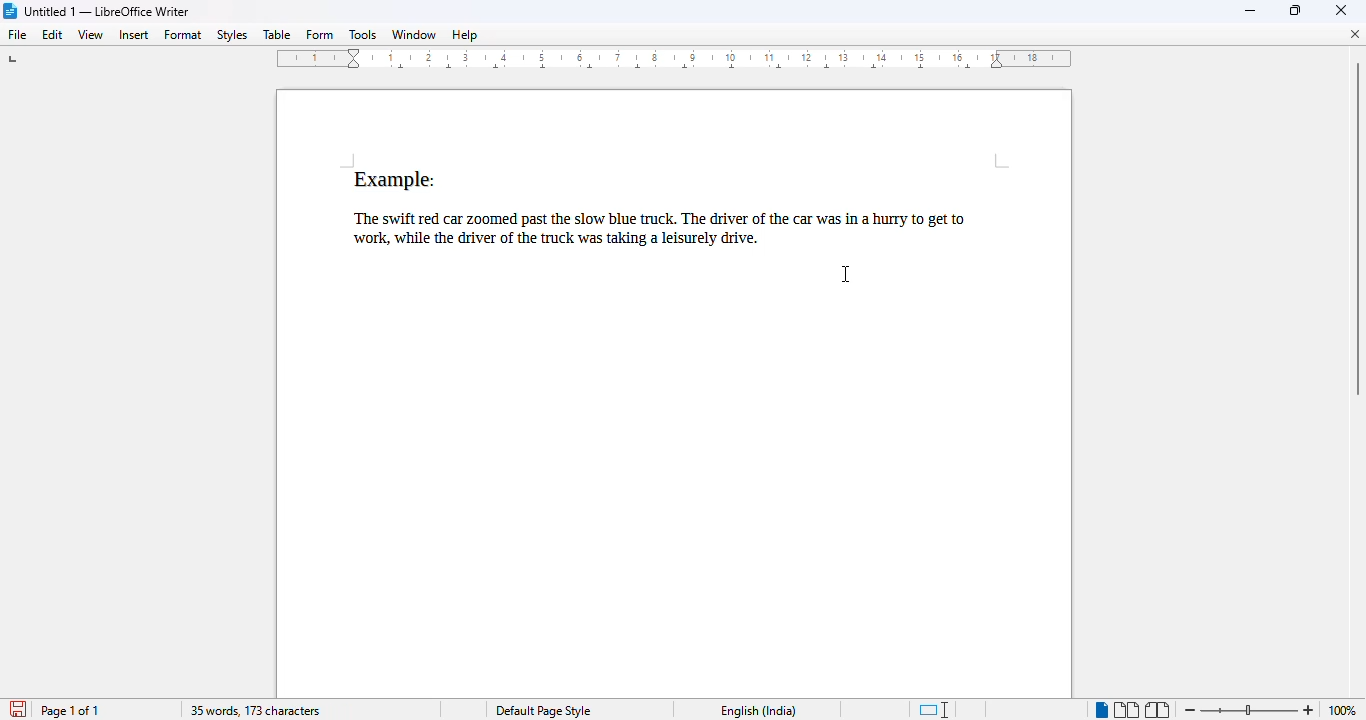  What do you see at coordinates (1251, 11) in the screenshot?
I see `minimize` at bounding box center [1251, 11].